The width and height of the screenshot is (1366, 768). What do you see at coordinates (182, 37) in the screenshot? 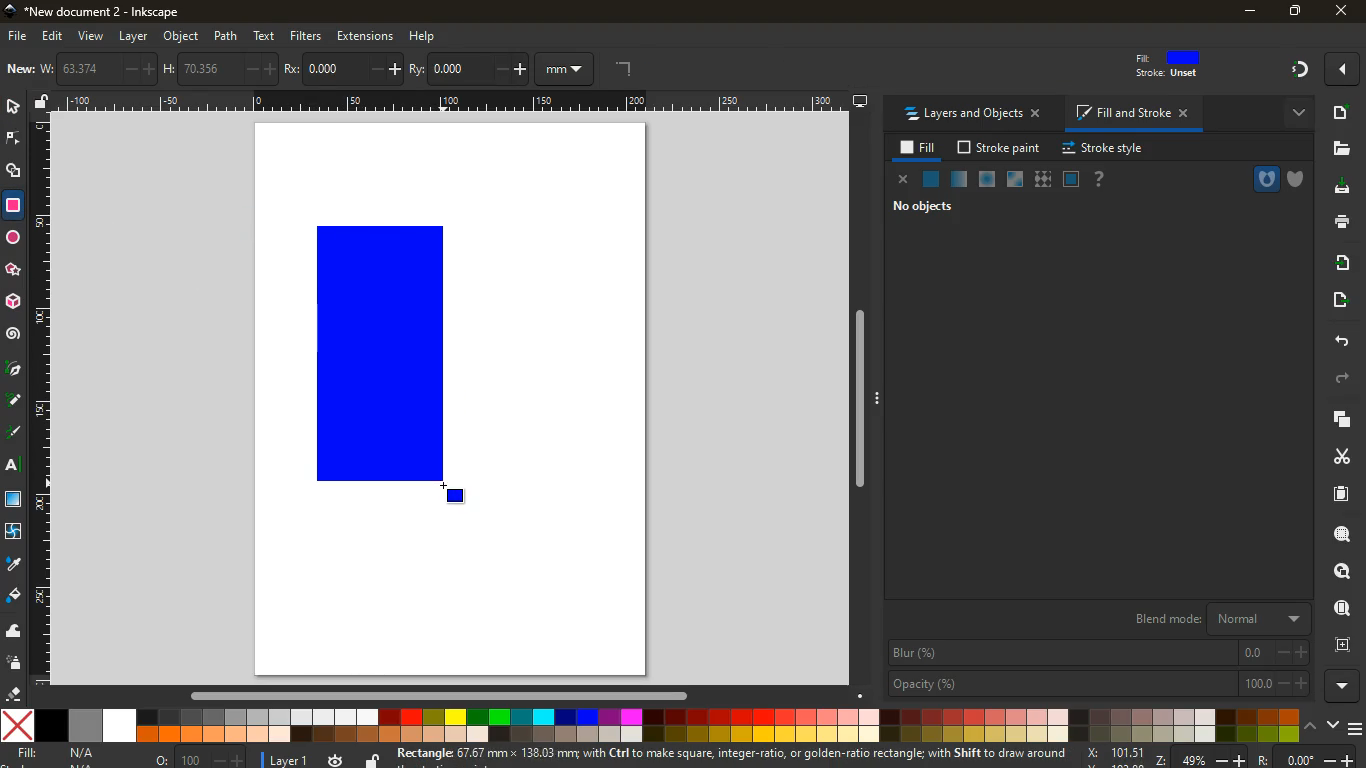
I see `object` at bounding box center [182, 37].